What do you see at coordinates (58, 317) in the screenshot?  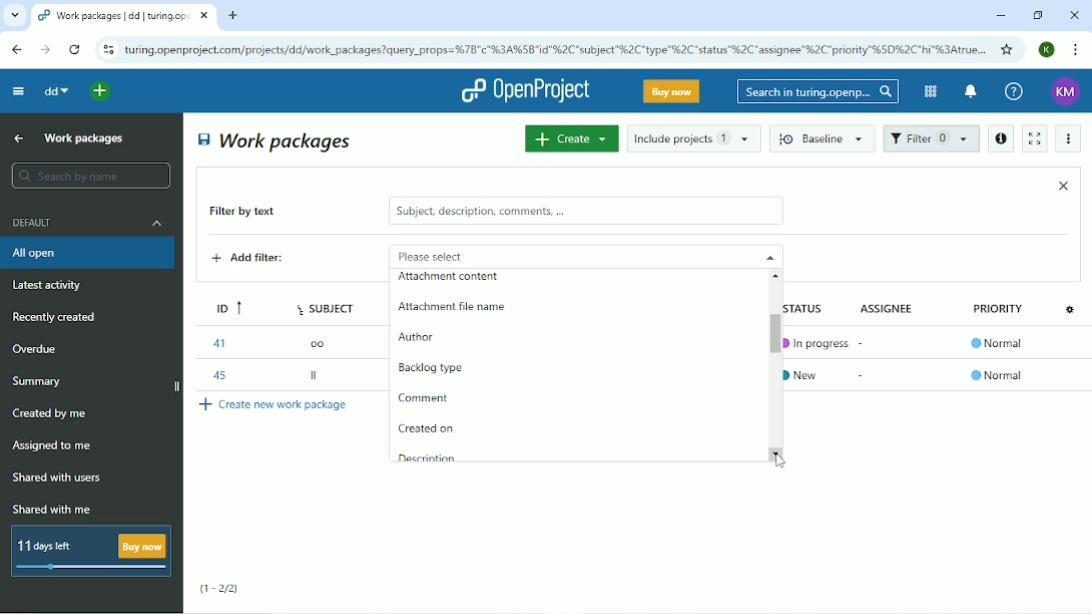 I see `Recently created` at bounding box center [58, 317].